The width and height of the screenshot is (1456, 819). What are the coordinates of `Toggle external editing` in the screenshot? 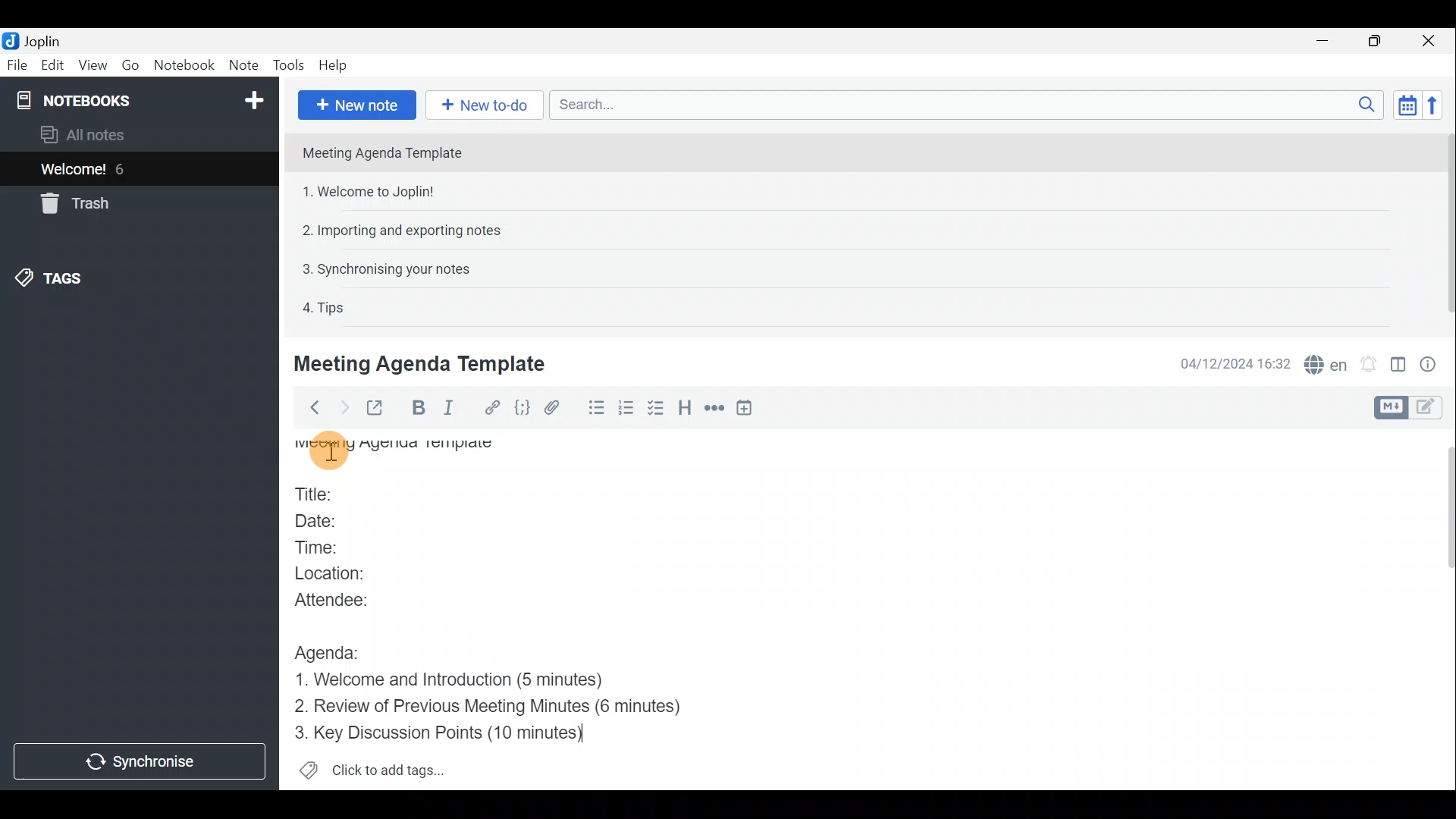 It's located at (376, 409).